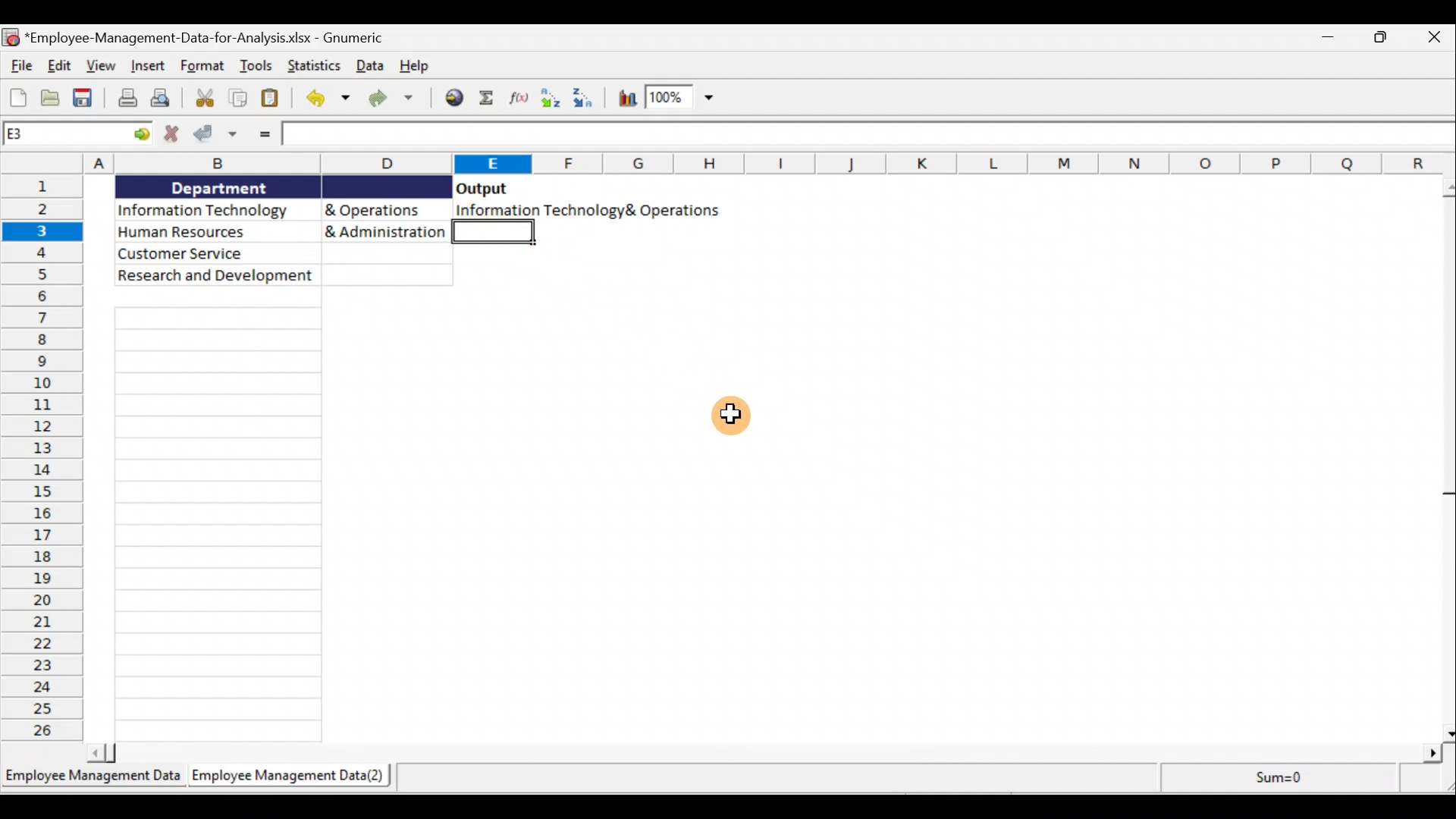 The height and width of the screenshot is (819, 1456). What do you see at coordinates (1386, 39) in the screenshot?
I see `Maximise` at bounding box center [1386, 39].